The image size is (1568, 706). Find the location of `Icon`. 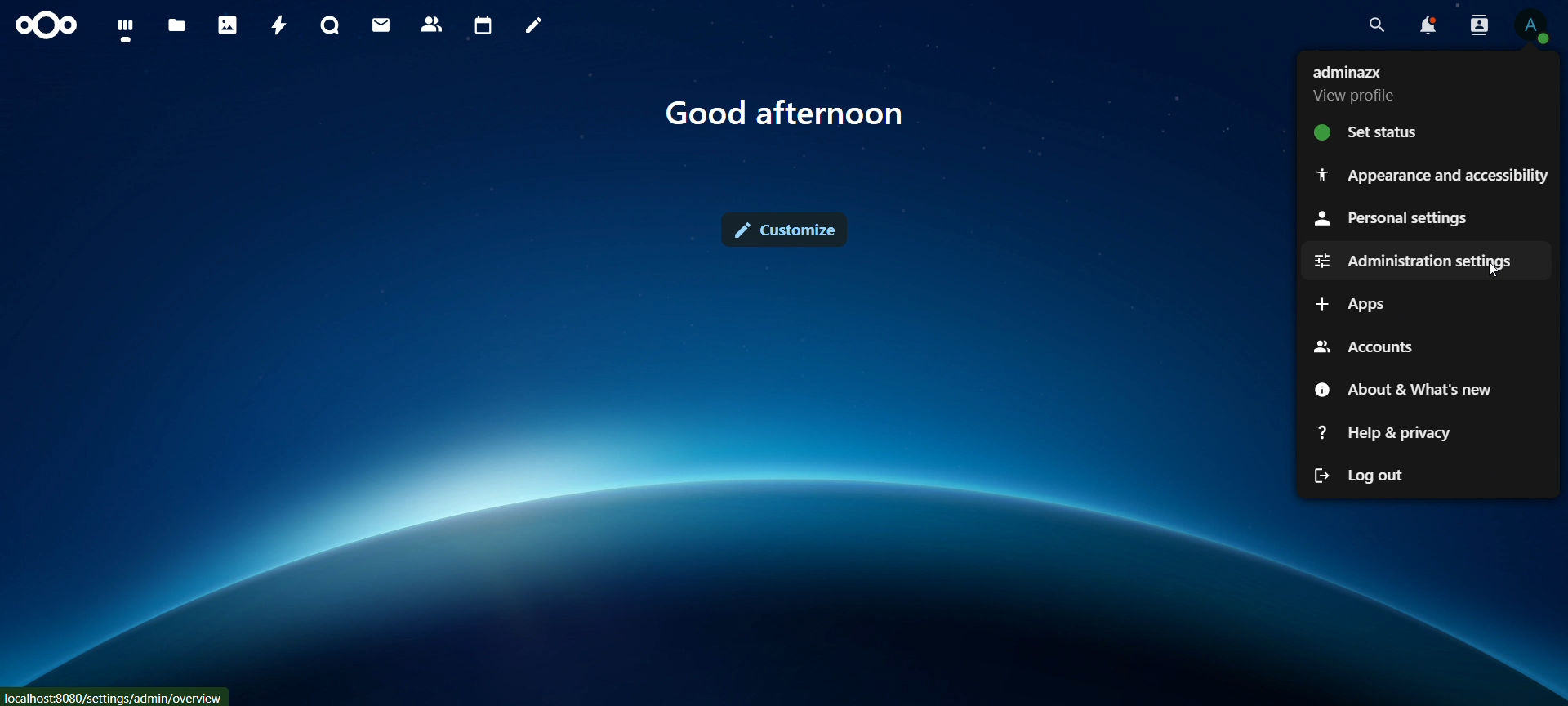

Icon is located at coordinates (44, 29).